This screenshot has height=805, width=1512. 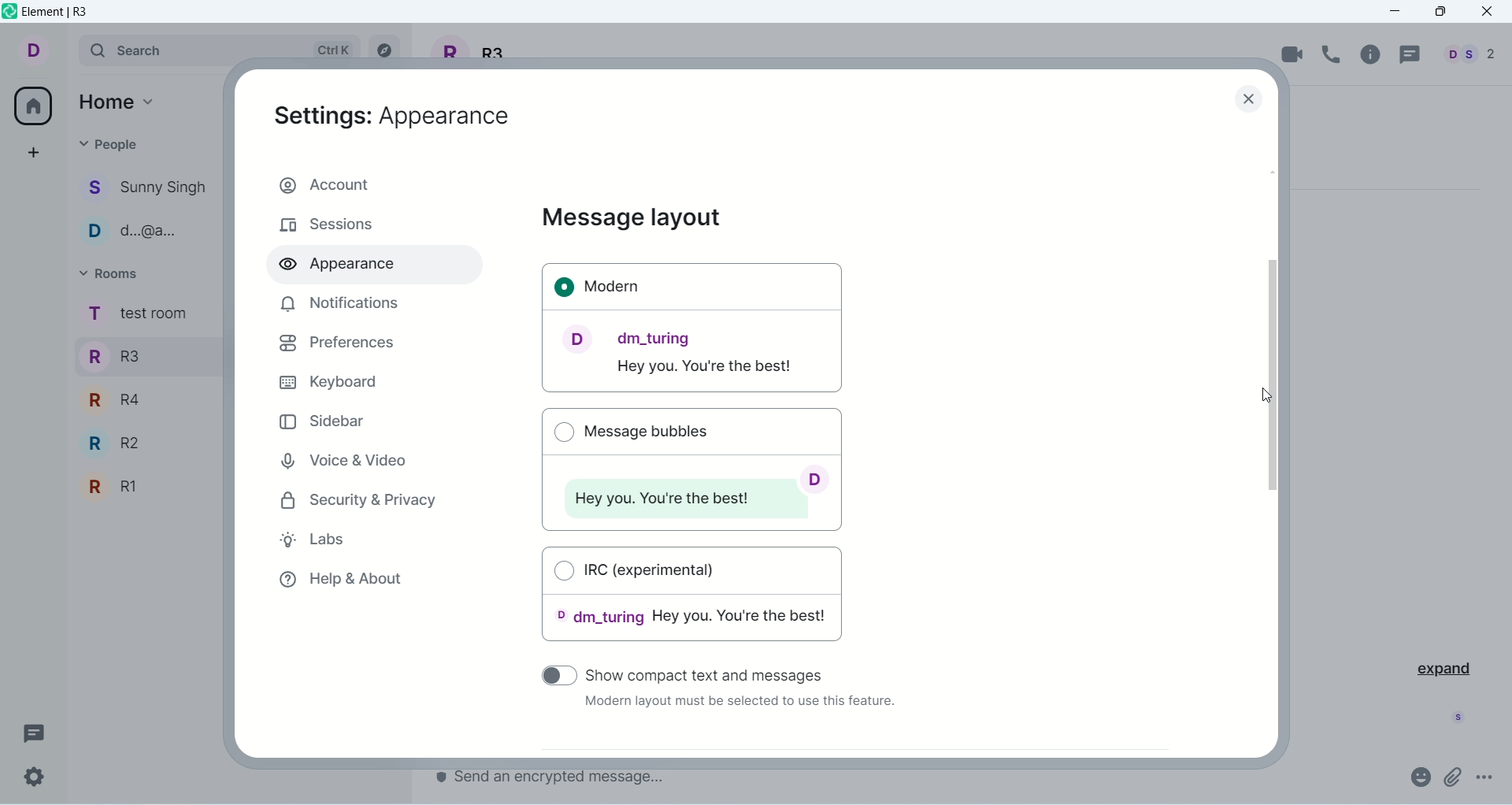 I want to click on voice and video, so click(x=341, y=458).